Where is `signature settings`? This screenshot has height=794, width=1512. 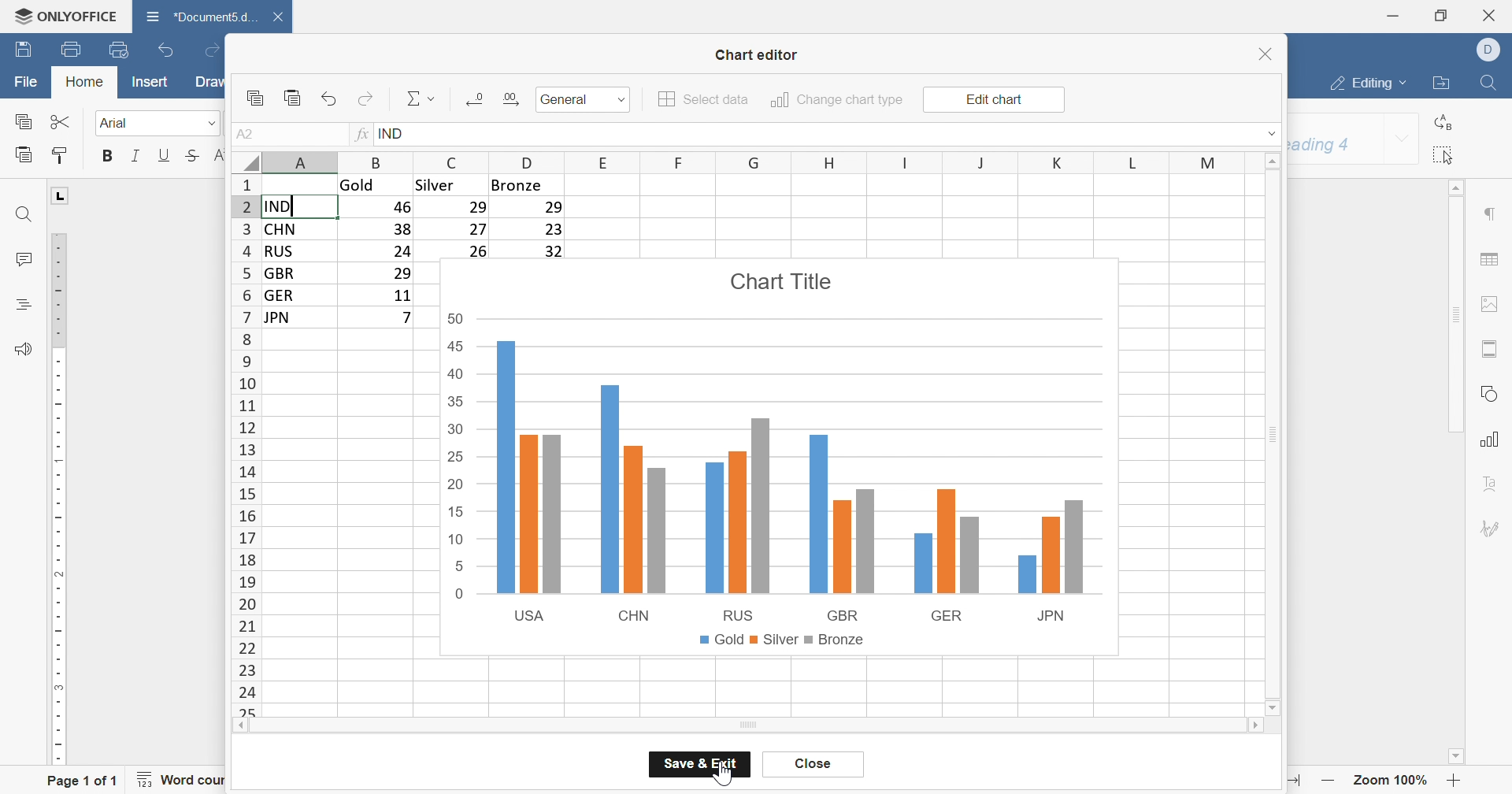
signature settings is located at coordinates (1496, 528).